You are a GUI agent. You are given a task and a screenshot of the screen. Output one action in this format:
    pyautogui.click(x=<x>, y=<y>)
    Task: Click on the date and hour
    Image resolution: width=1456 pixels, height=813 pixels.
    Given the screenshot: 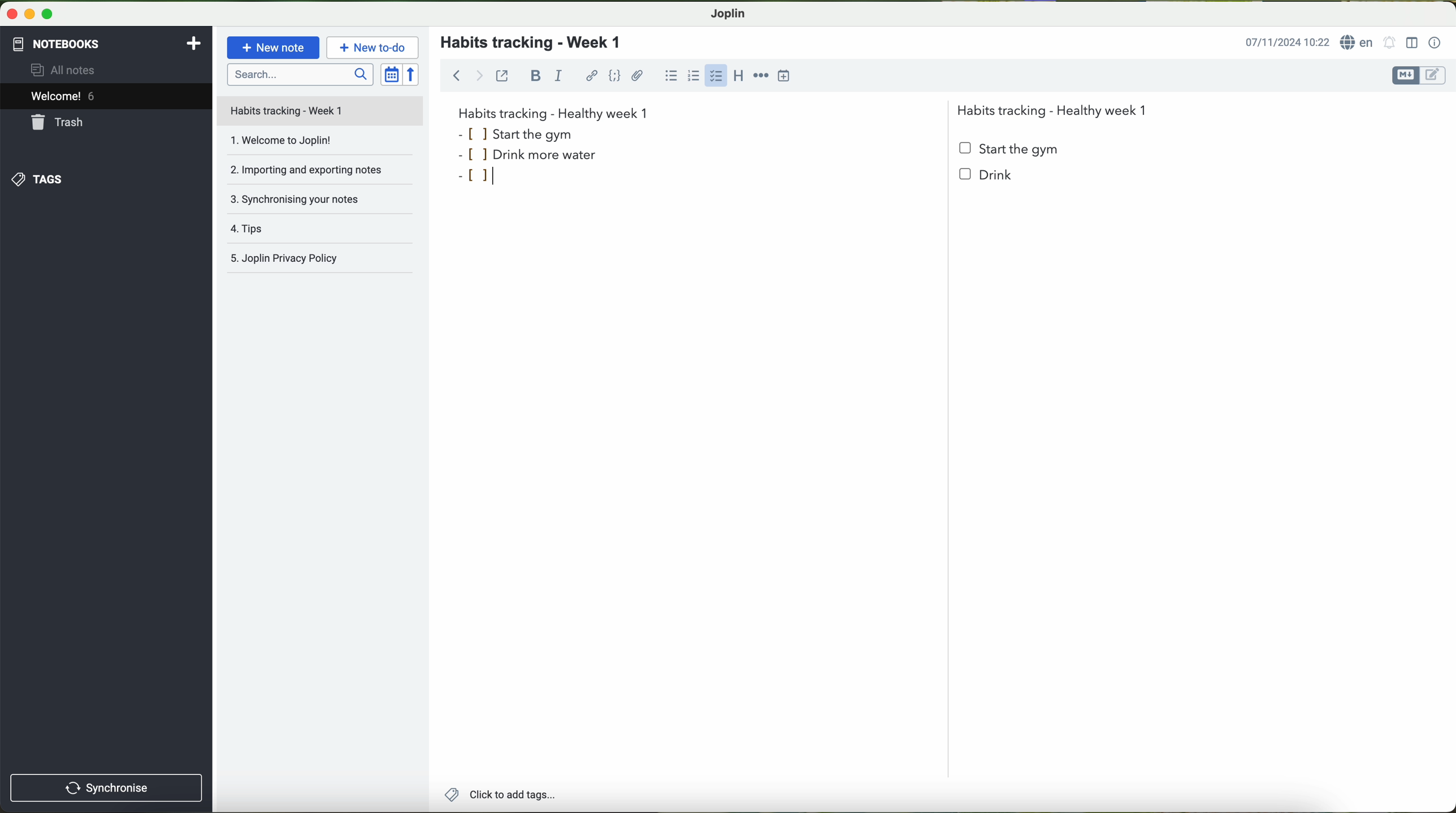 What is the action you would take?
    pyautogui.click(x=1287, y=41)
    